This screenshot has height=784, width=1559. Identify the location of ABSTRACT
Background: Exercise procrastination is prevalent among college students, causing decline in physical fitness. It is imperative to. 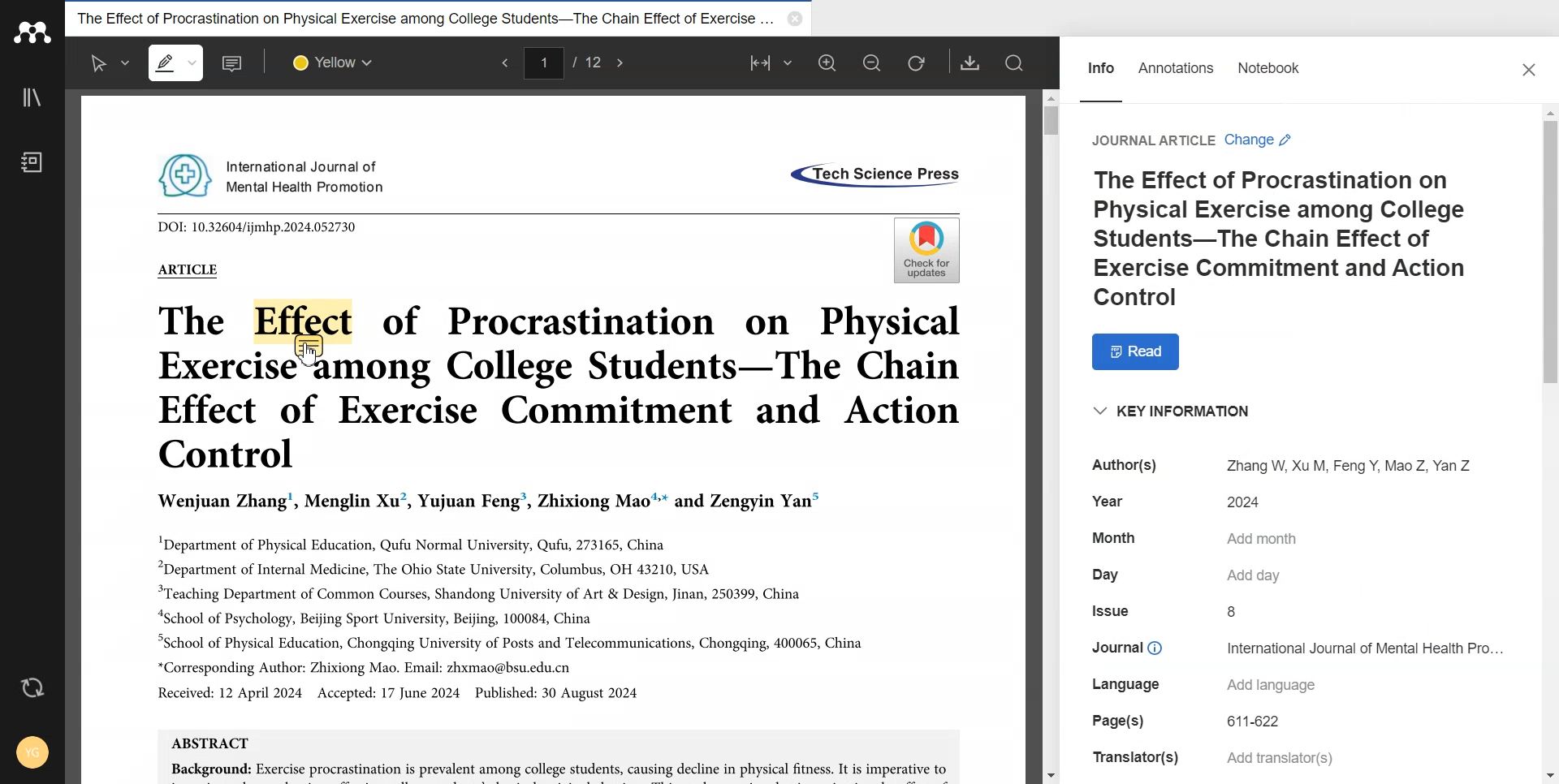
(559, 755).